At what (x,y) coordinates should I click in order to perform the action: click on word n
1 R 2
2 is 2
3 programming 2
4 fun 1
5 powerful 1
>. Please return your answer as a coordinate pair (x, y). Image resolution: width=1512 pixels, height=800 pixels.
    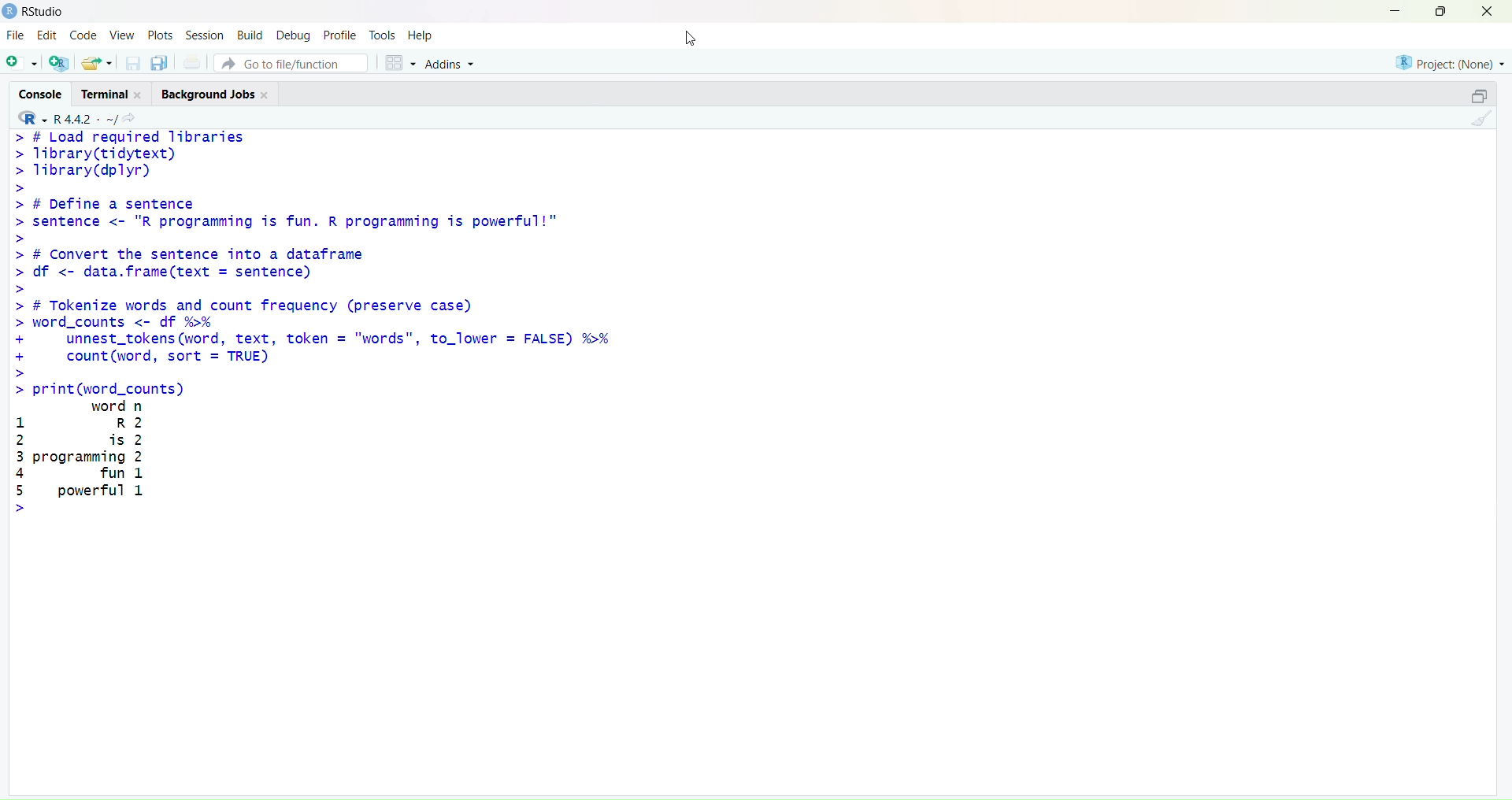
    Looking at the image, I should click on (97, 460).